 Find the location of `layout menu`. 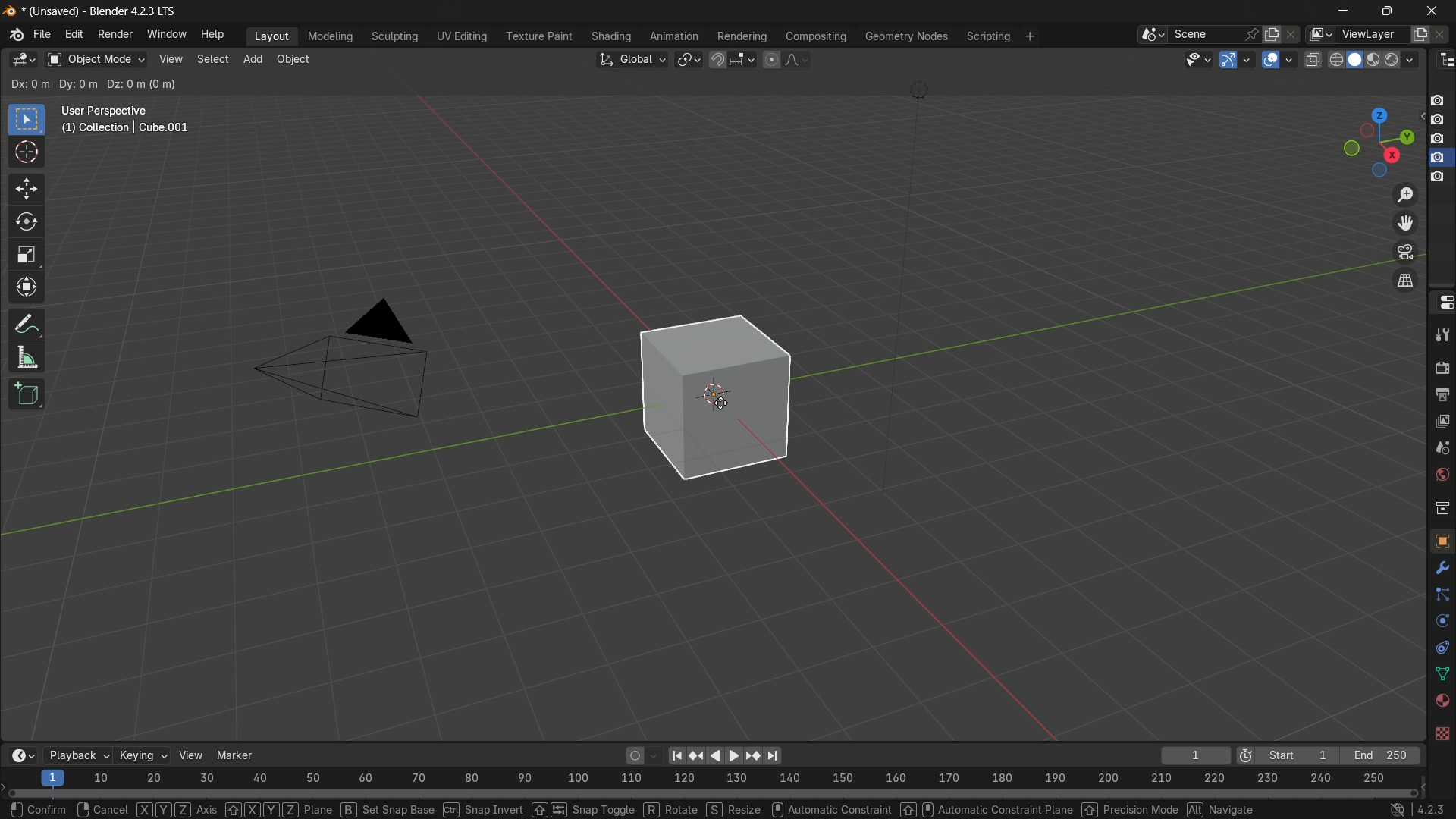

layout menu is located at coordinates (268, 37).